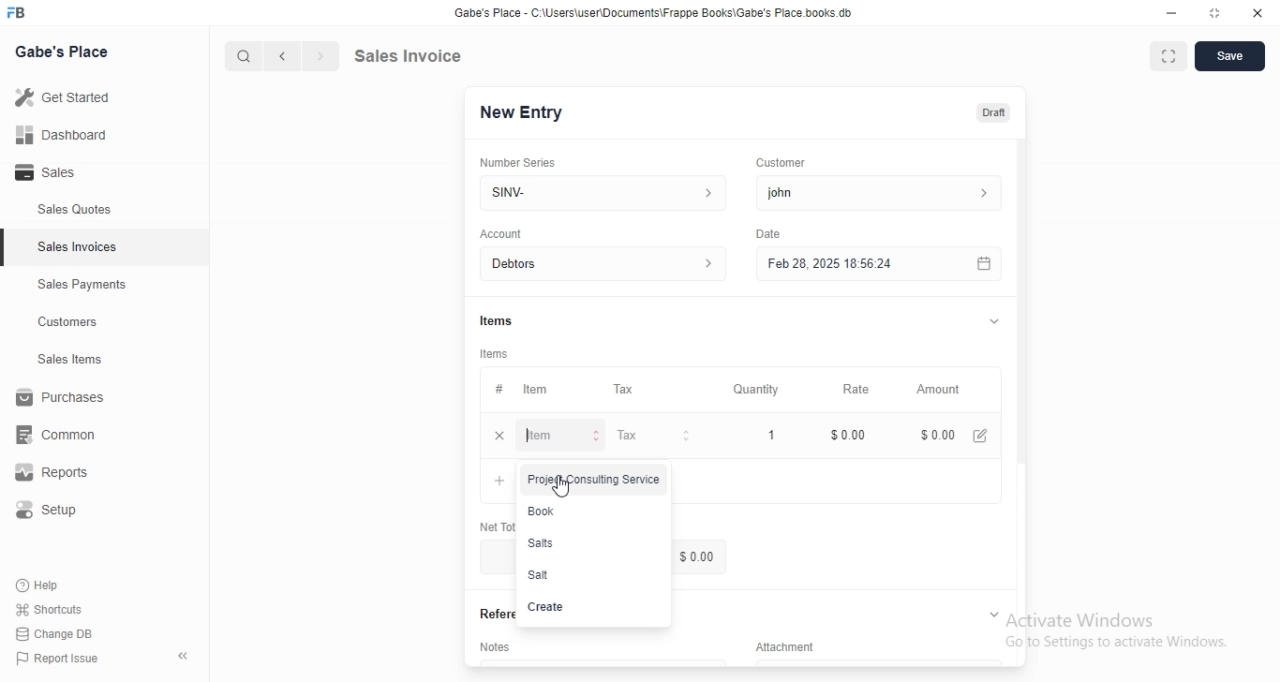 The width and height of the screenshot is (1280, 682). What do you see at coordinates (983, 435) in the screenshot?
I see `edit` at bounding box center [983, 435].